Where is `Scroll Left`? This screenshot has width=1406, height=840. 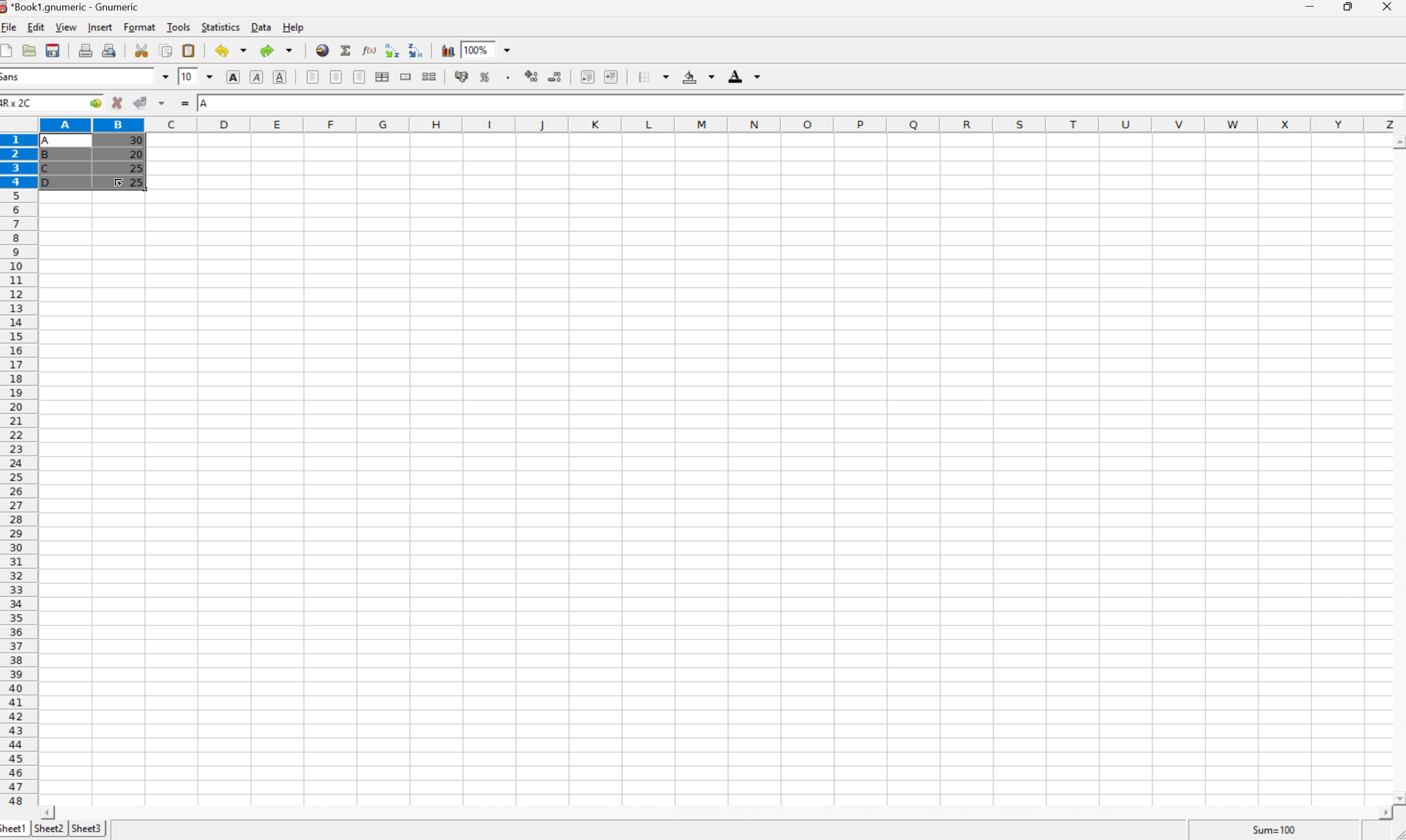
Scroll Left is located at coordinates (50, 812).